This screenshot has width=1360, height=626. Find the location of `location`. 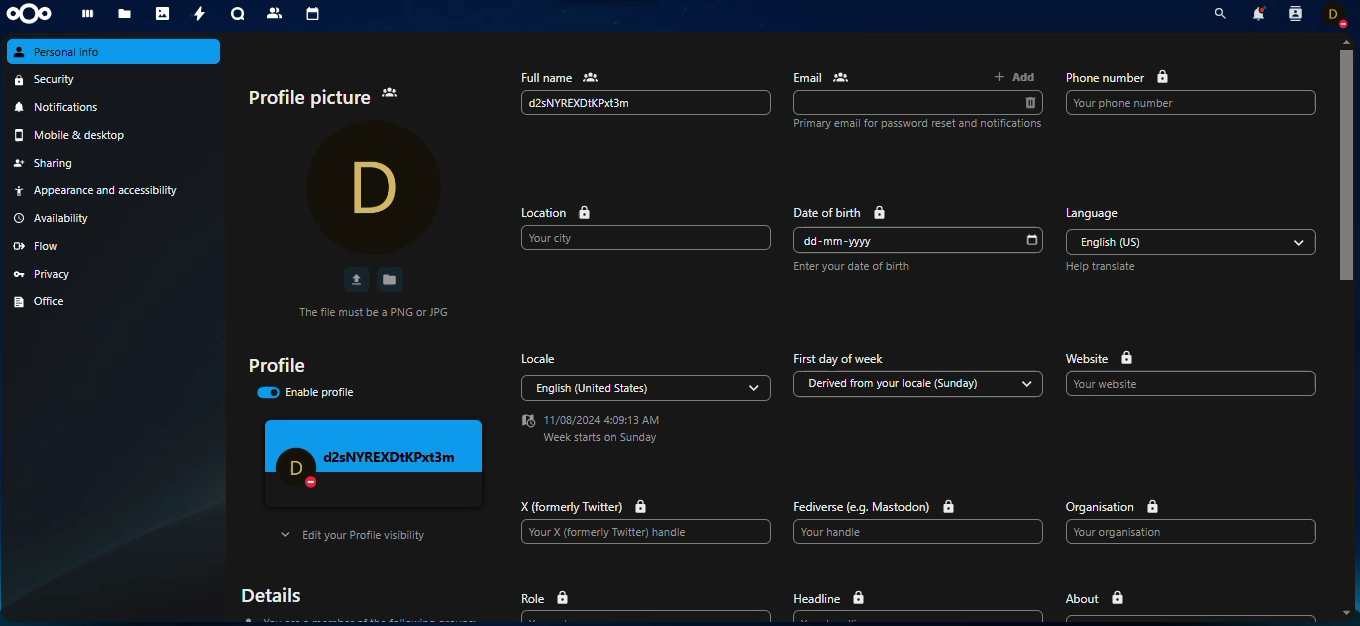

location is located at coordinates (556, 212).